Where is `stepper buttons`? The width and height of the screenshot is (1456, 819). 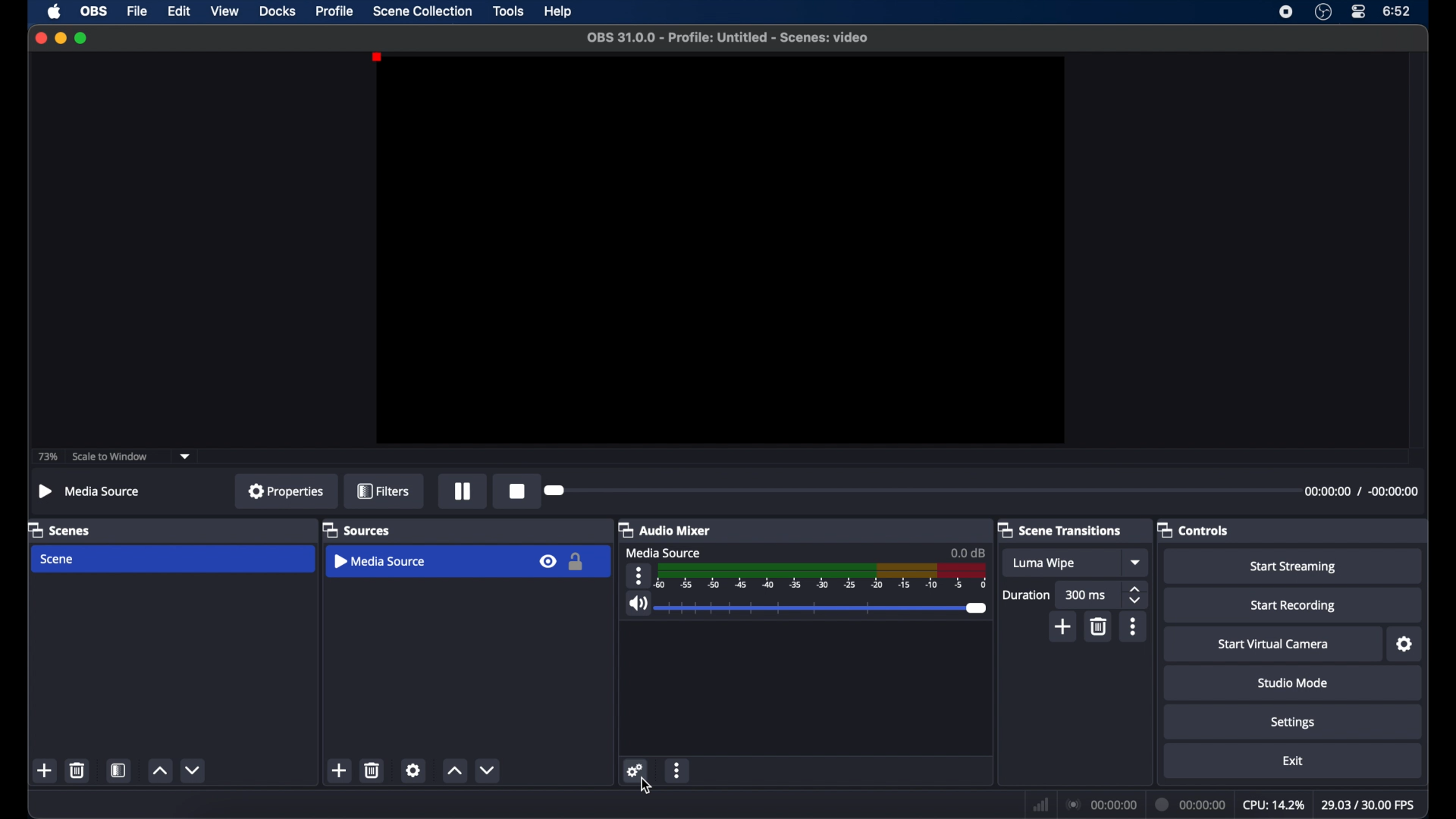 stepper buttons is located at coordinates (1137, 595).